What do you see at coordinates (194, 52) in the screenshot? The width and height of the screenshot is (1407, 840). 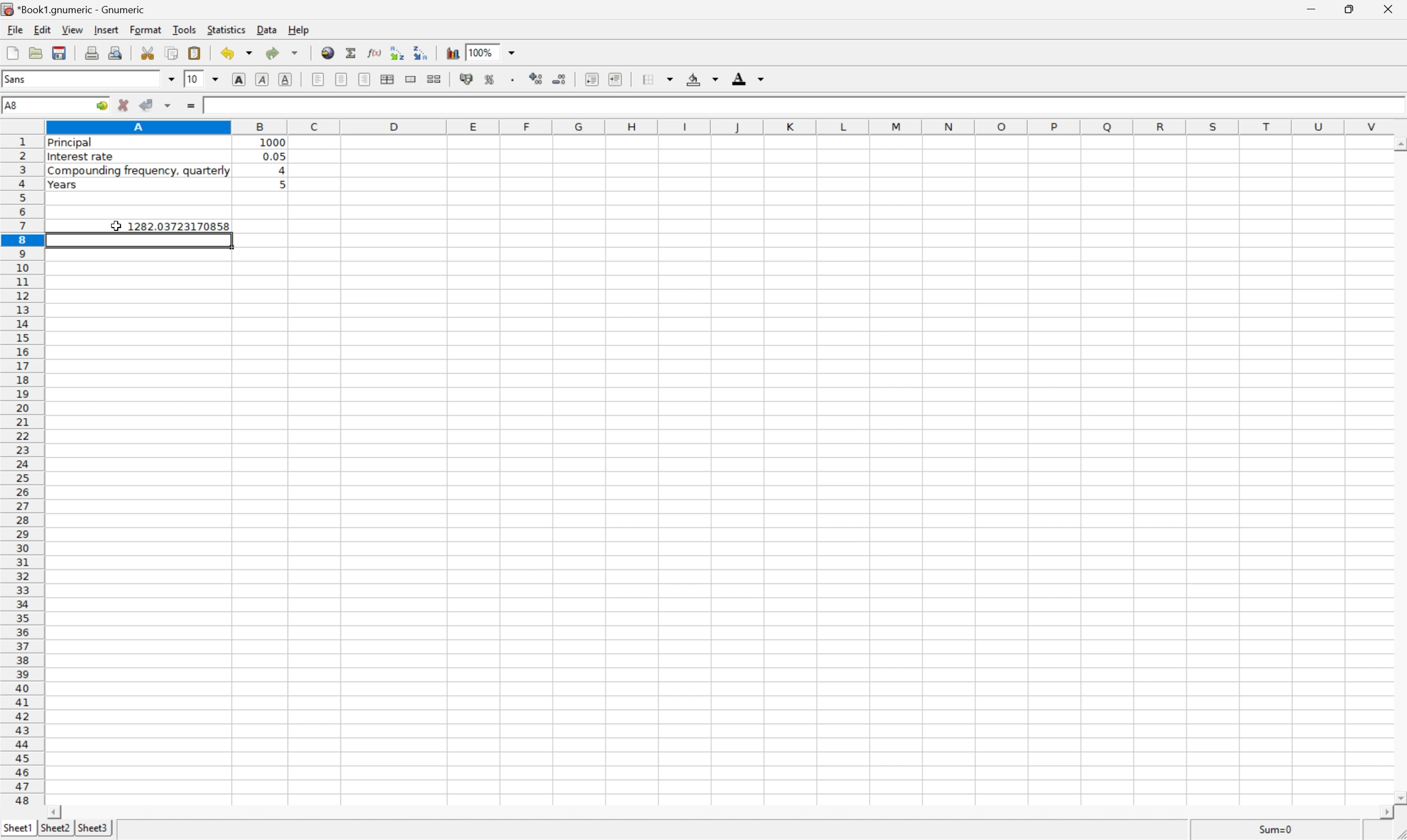 I see `paste` at bounding box center [194, 52].